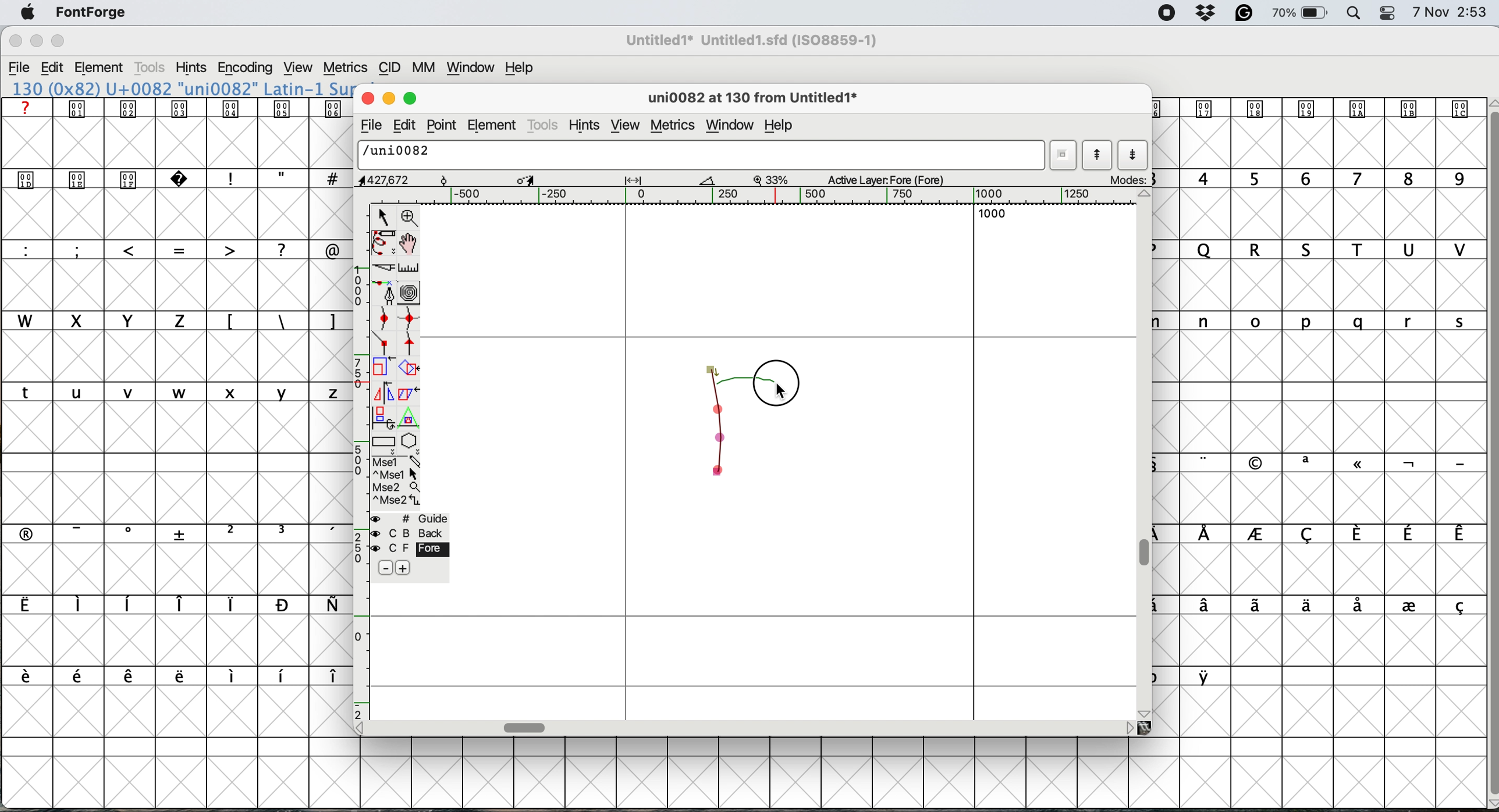 The image size is (1499, 812). I want to click on hints, so click(192, 69).